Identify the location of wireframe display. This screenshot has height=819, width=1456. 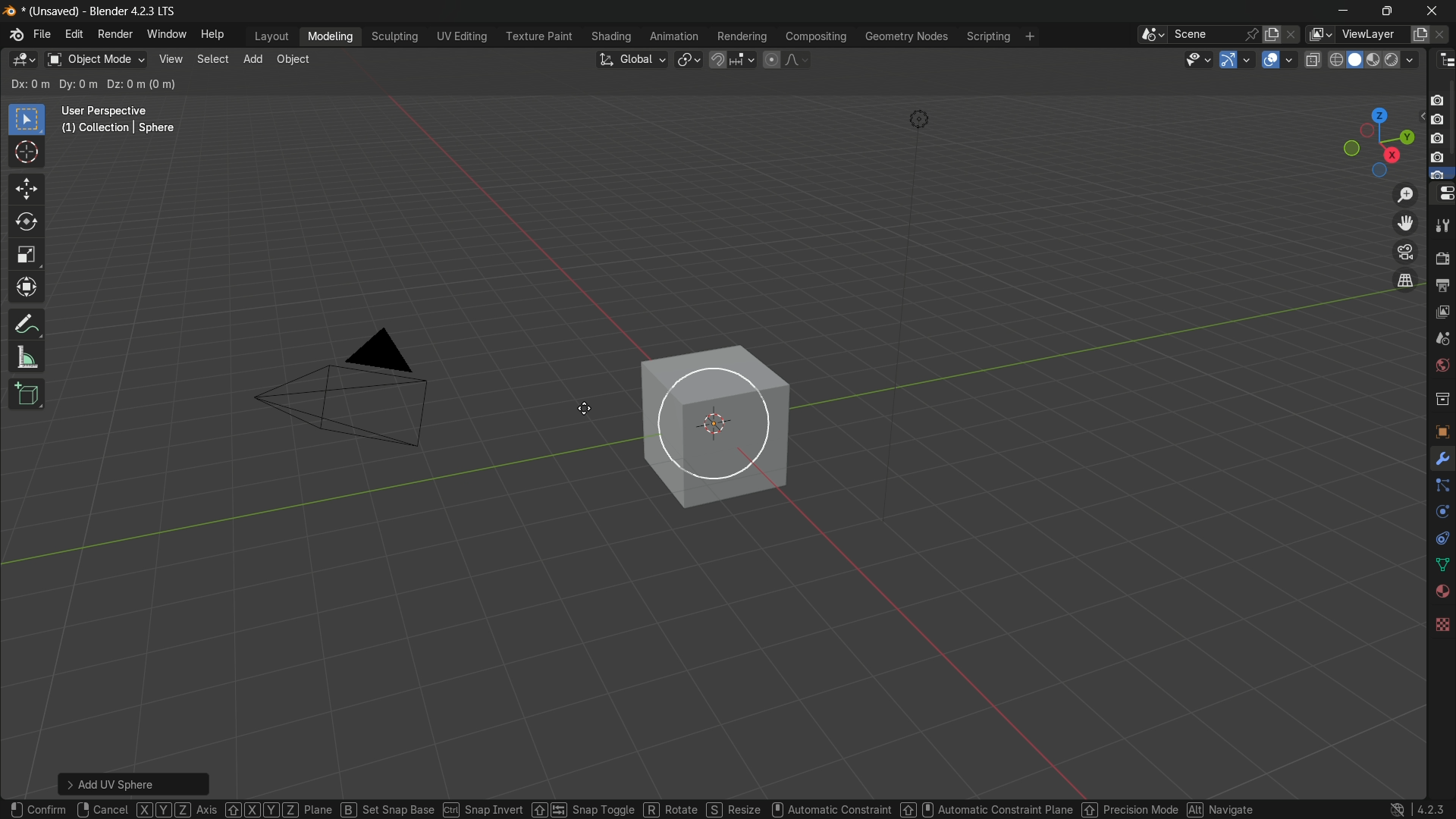
(1335, 60).